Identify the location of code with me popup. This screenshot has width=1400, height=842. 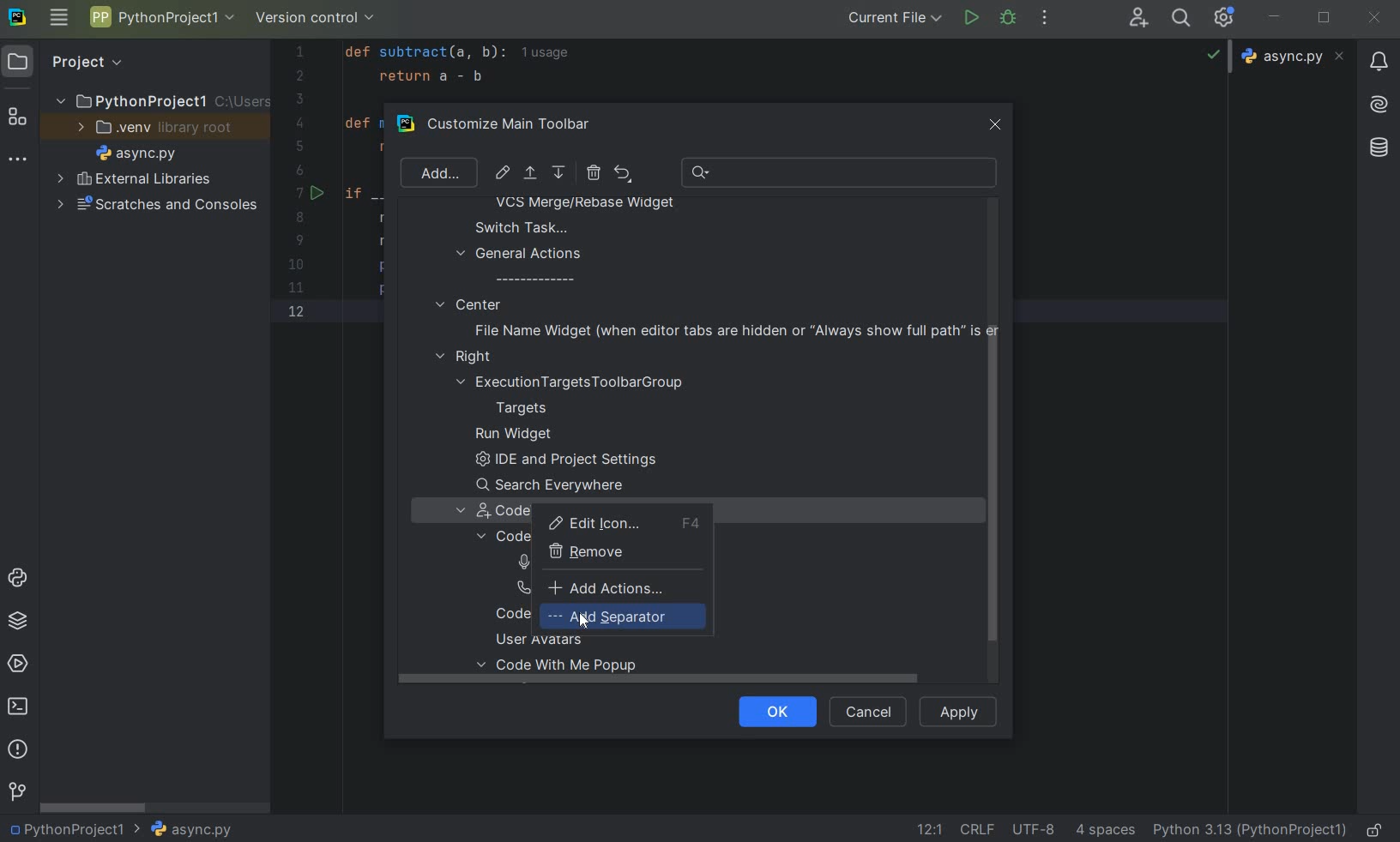
(564, 670).